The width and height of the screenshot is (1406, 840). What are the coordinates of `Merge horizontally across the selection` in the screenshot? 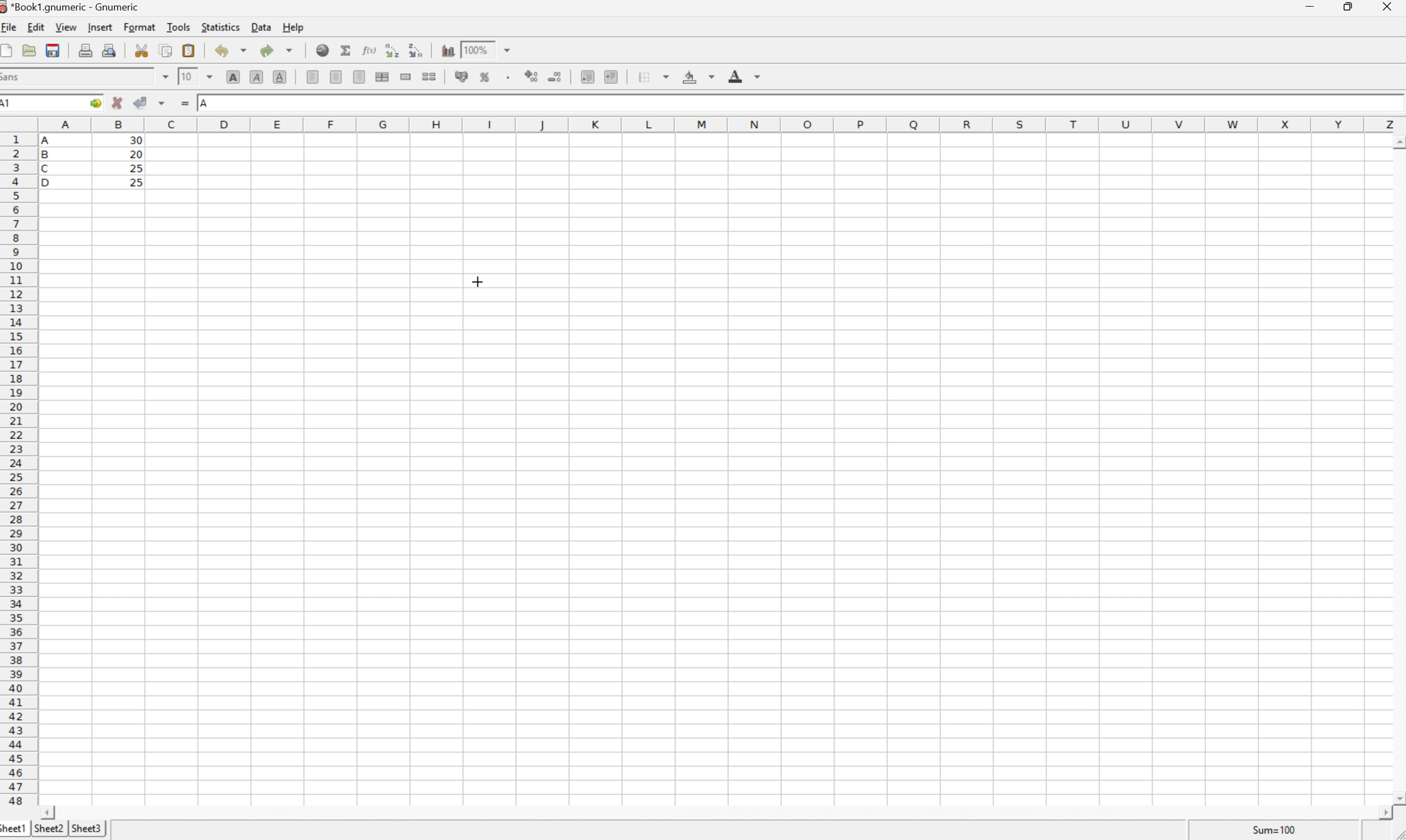 It's located at (382, 76).